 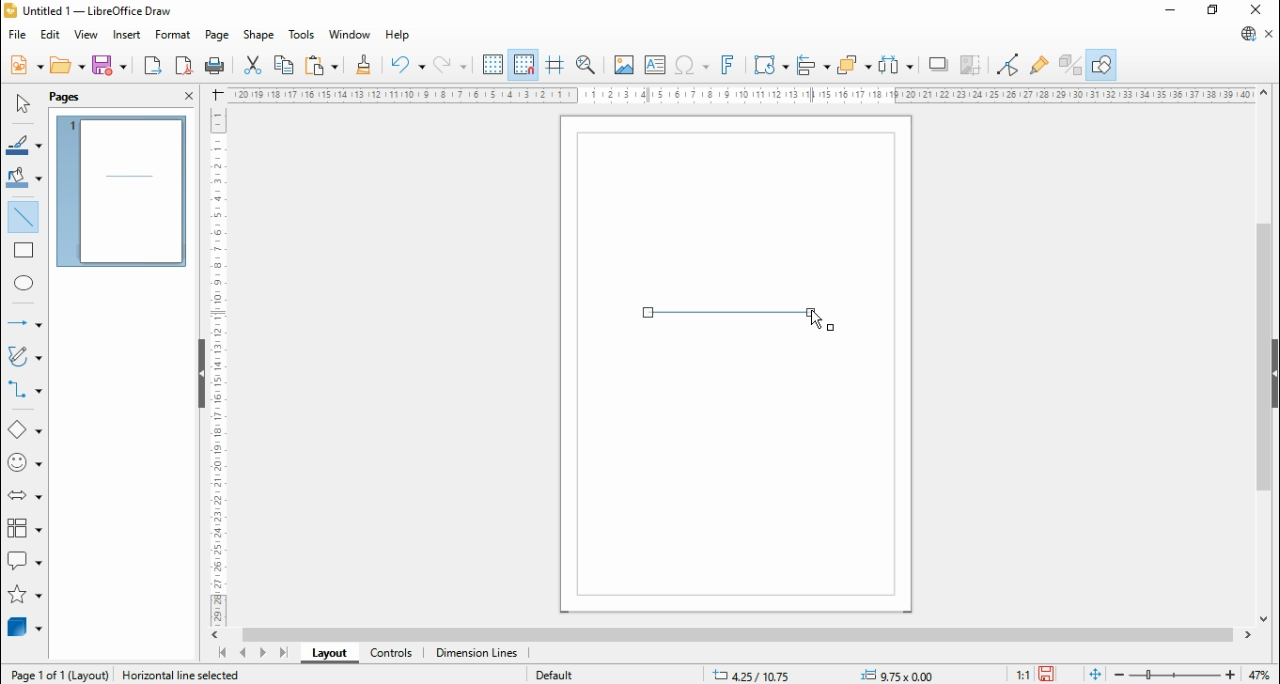 What do you see at coordinates (897, 65) in the screenshot?
I see `select at least three objects to distribute` at bounding box center [897, 65].